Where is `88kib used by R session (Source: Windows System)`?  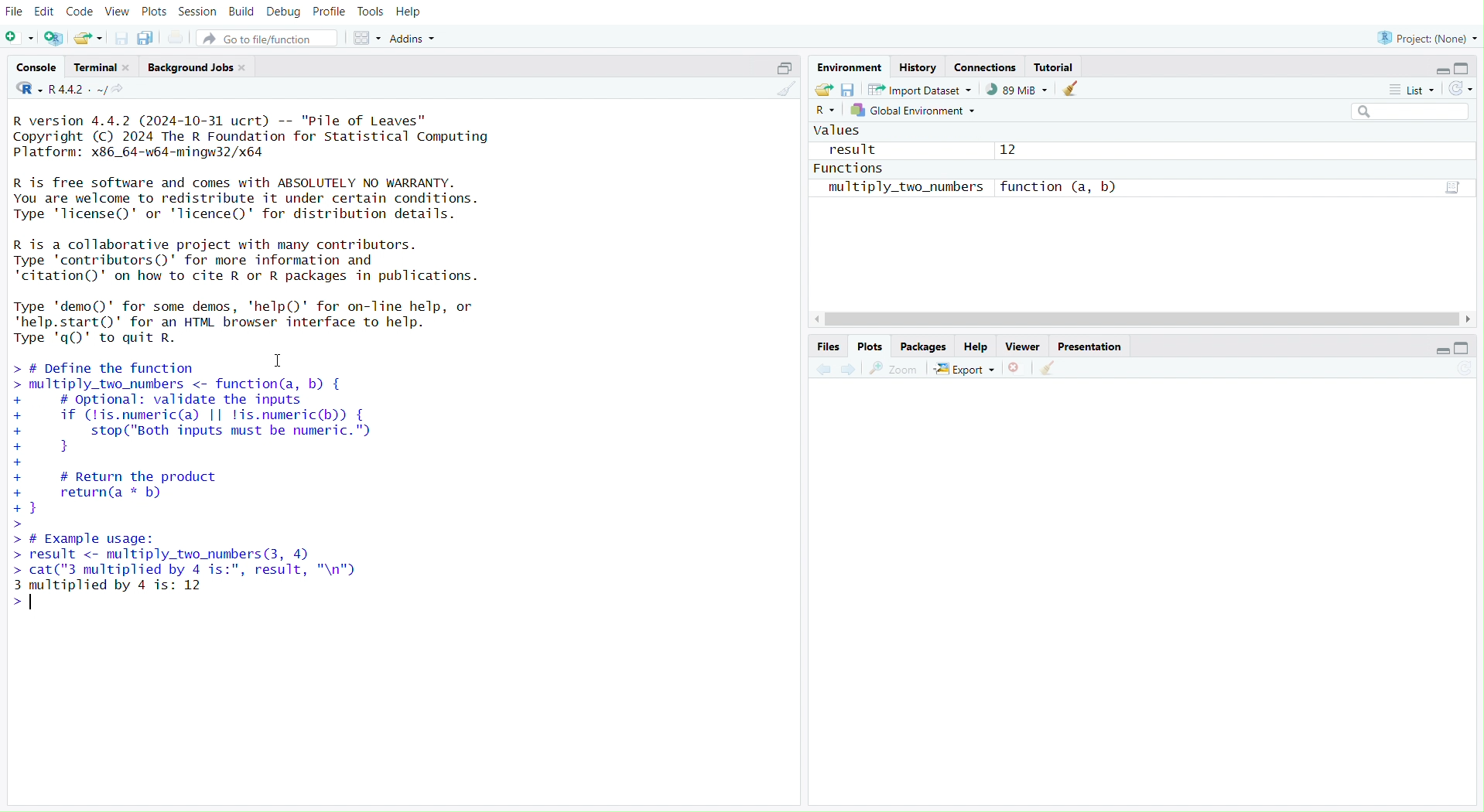
88kib used by R session (Source: Windows System) is located at coordinates (1014, 90).